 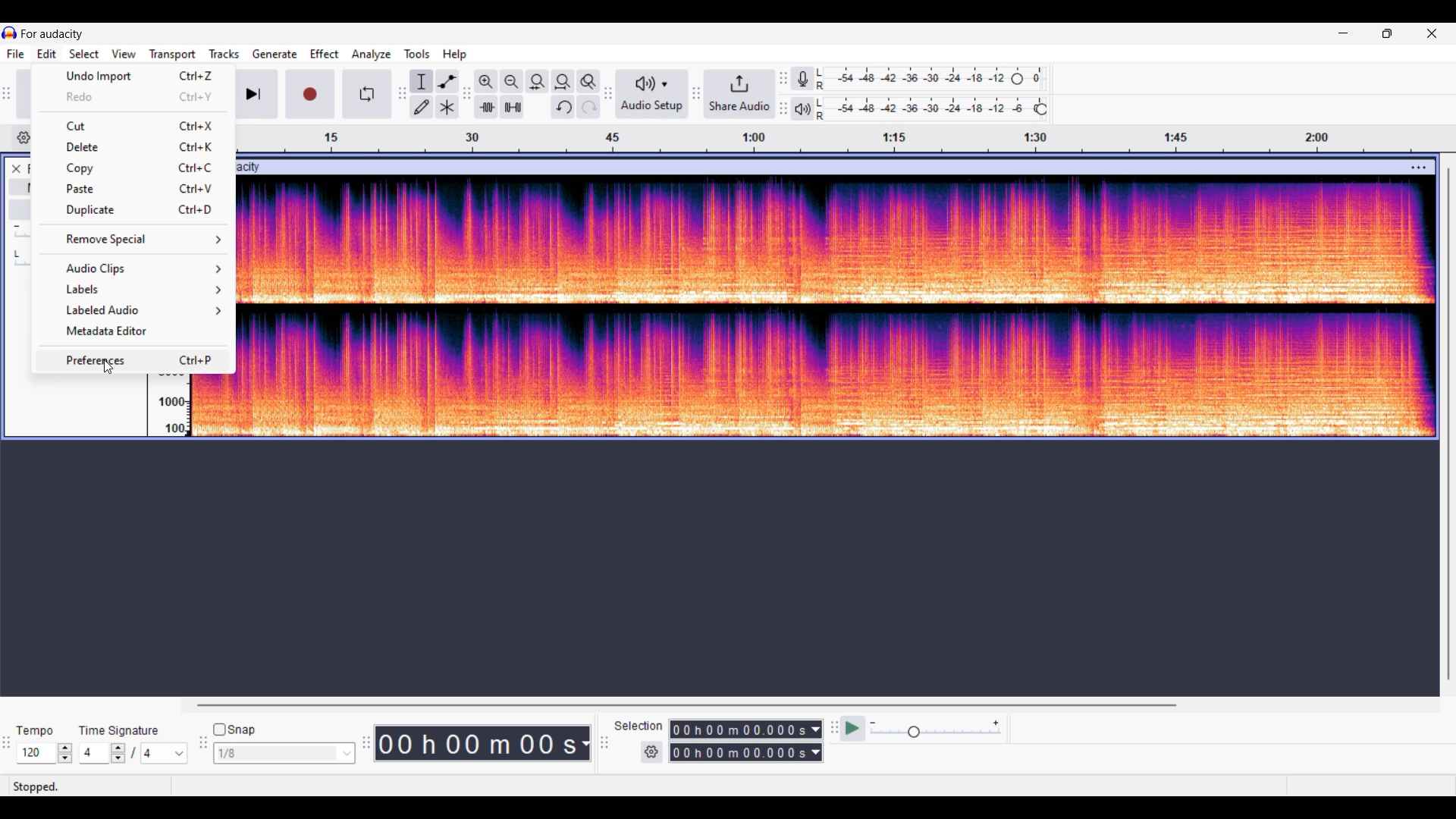 I want to click on Record/Record new track, so click(x=311, y=94).